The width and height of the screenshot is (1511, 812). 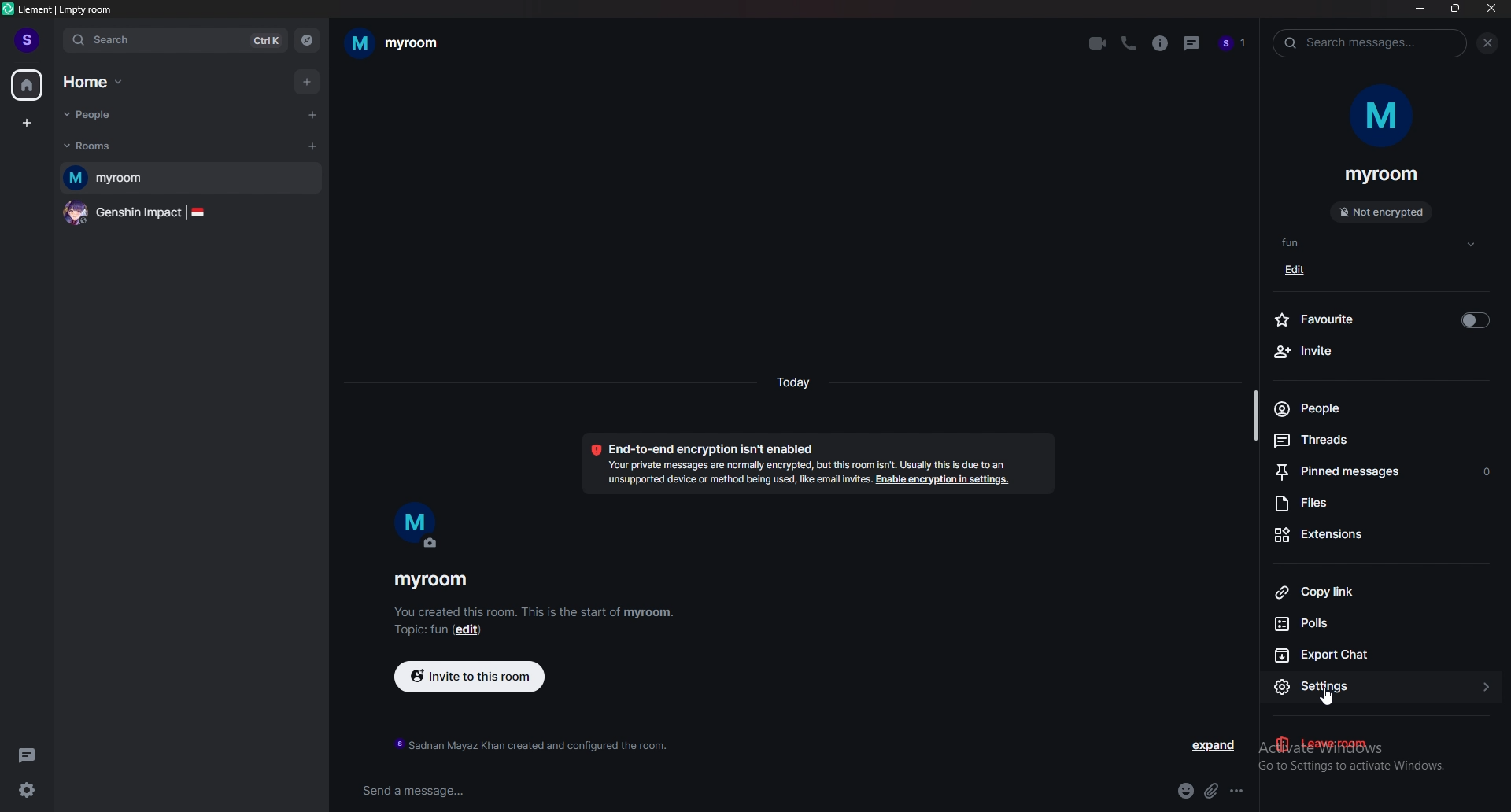 I want to click on threads, so click(x=1380, y=440).